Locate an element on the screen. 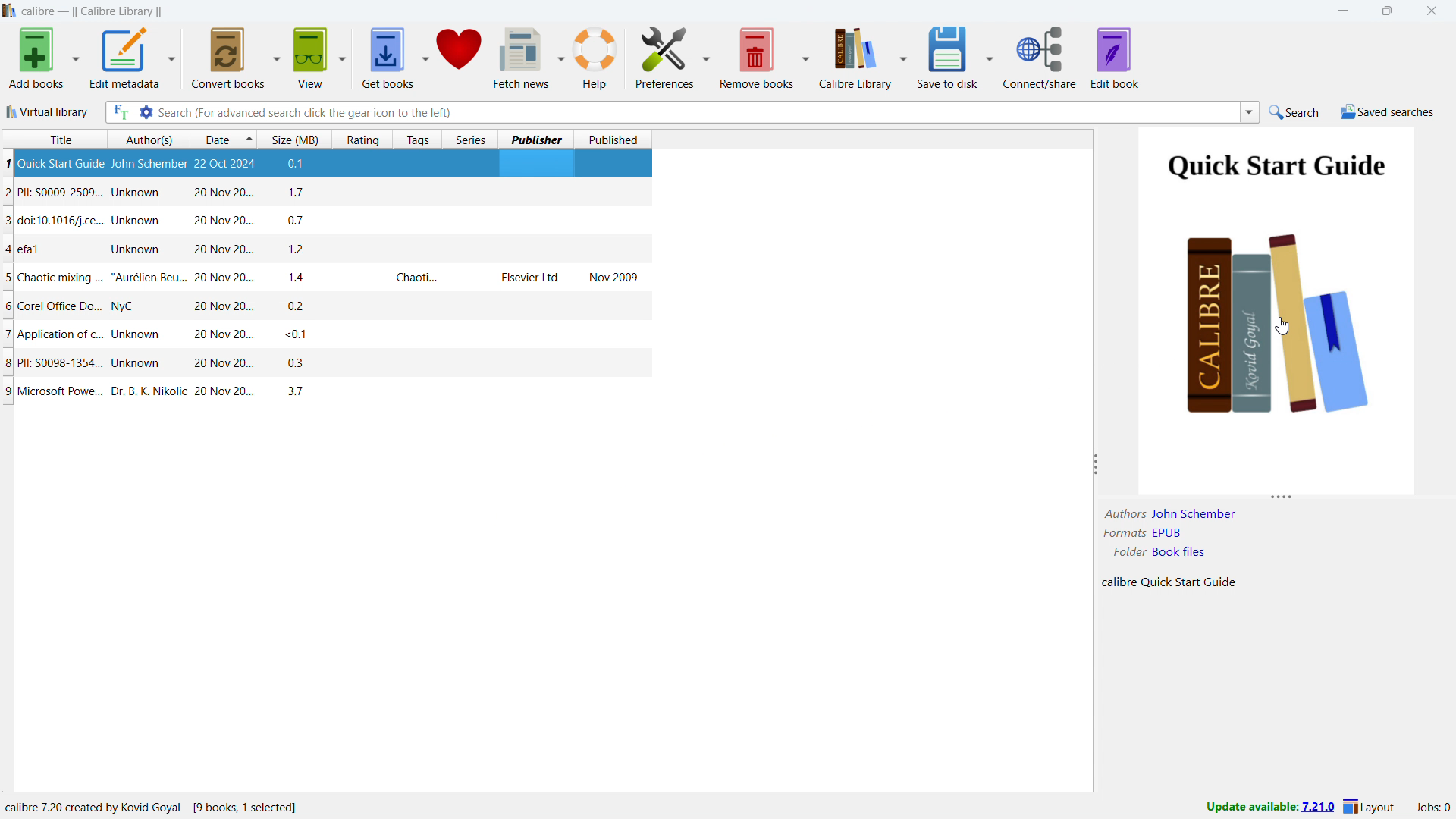  3.7 is located at coordinates (299, 392).